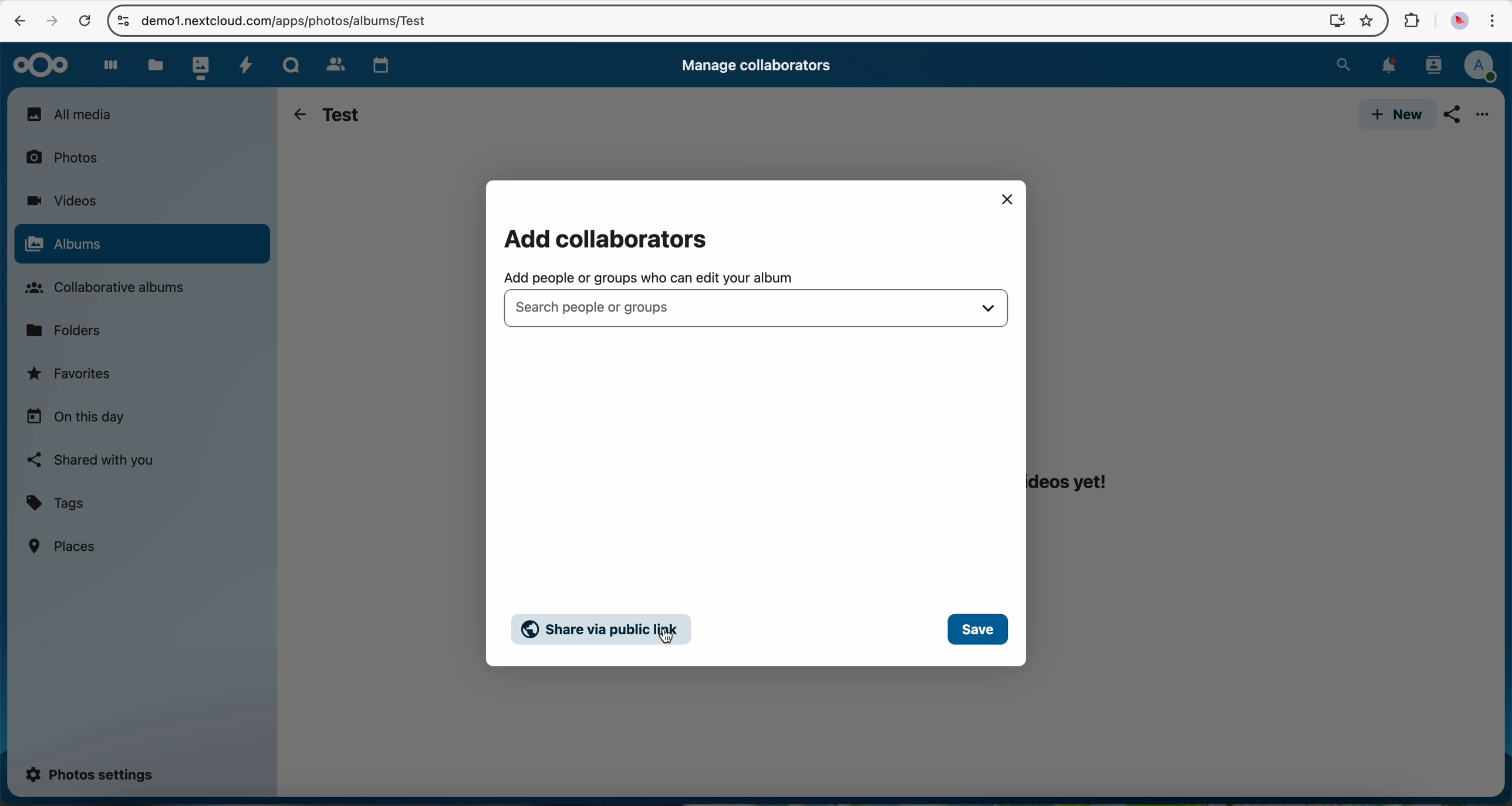 This screenshot has width=1512, height=806. Describe the element at coordinates (1484, 117) in the screenshot. I see `more options` at that location.